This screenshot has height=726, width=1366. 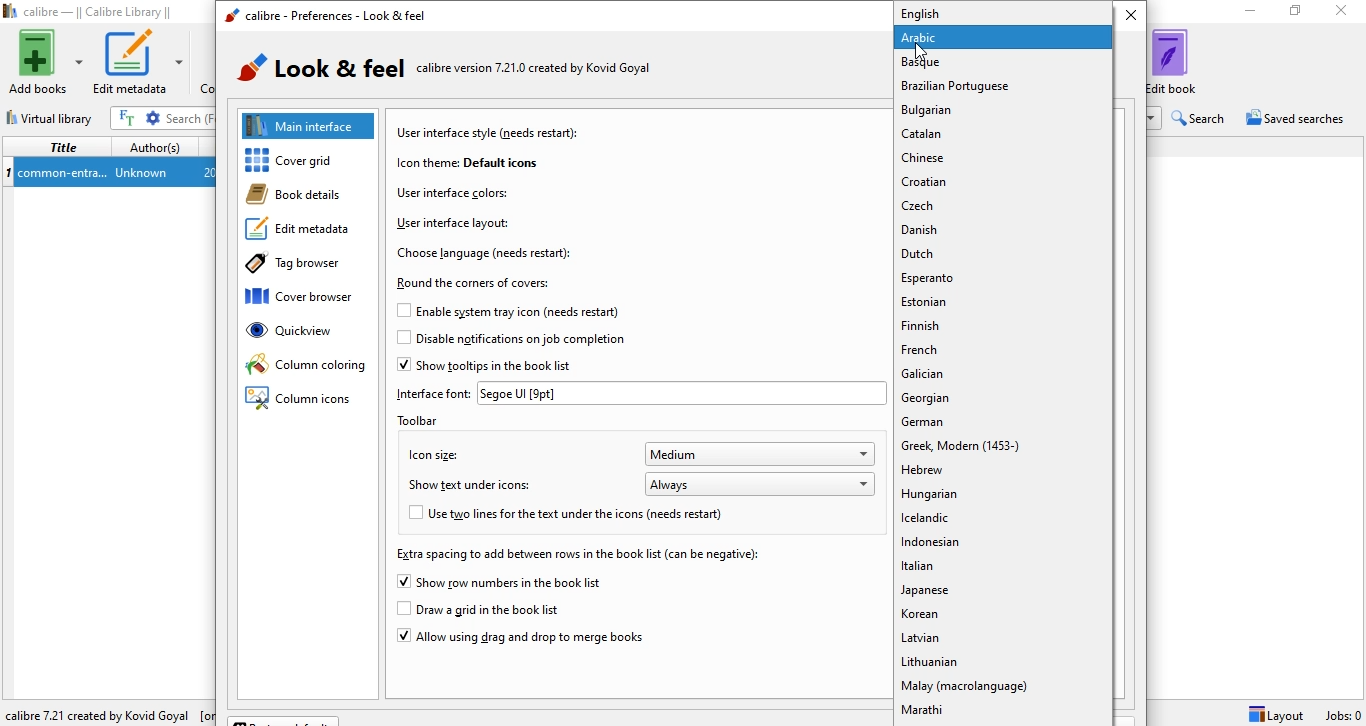 What do you see at coordinates (1341, 715) in the screenshot?
I see `Jobs: 0` at bounding box center [1341, 715].